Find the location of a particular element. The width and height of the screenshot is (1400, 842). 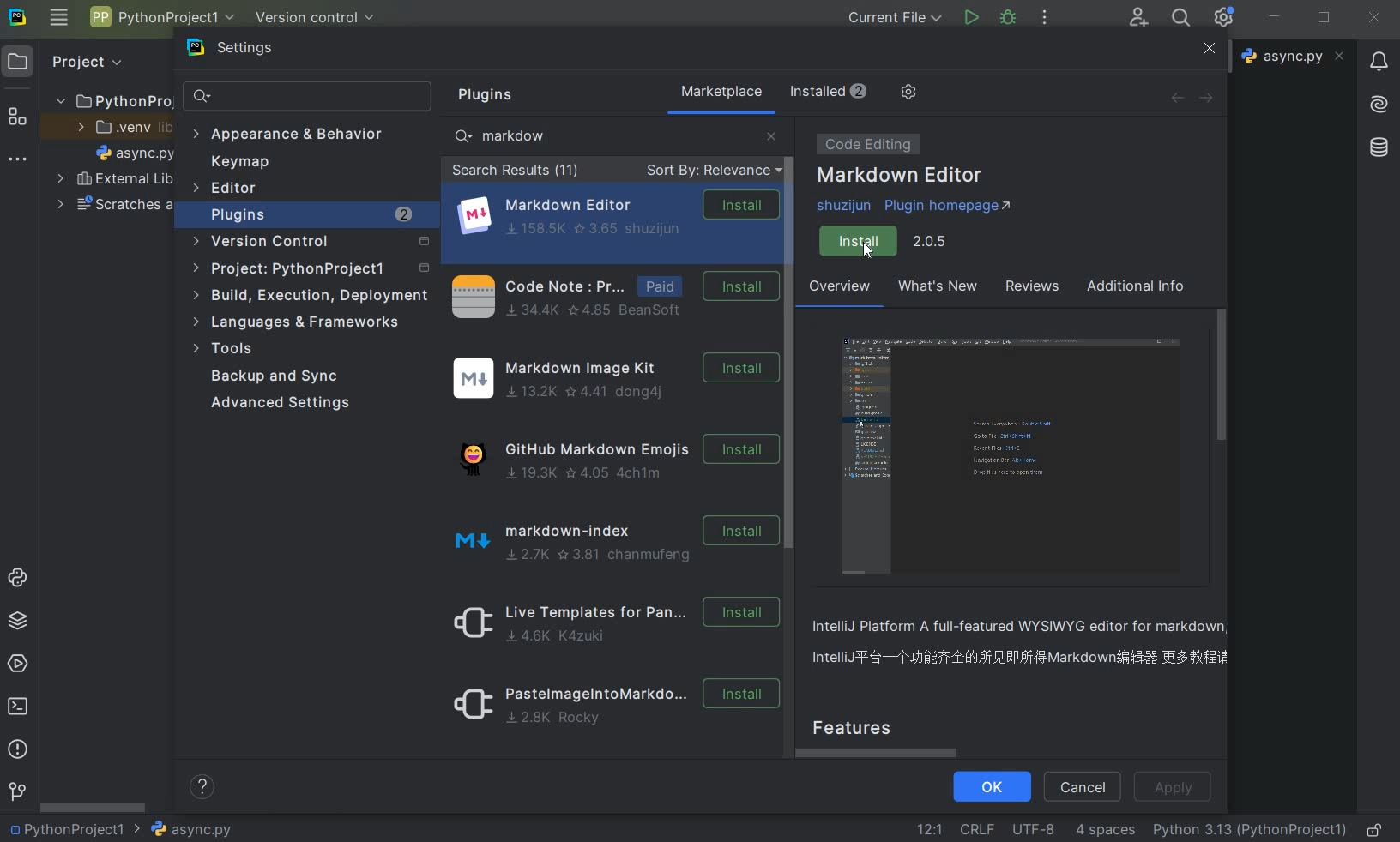

help is located at coordinates (204, 789).